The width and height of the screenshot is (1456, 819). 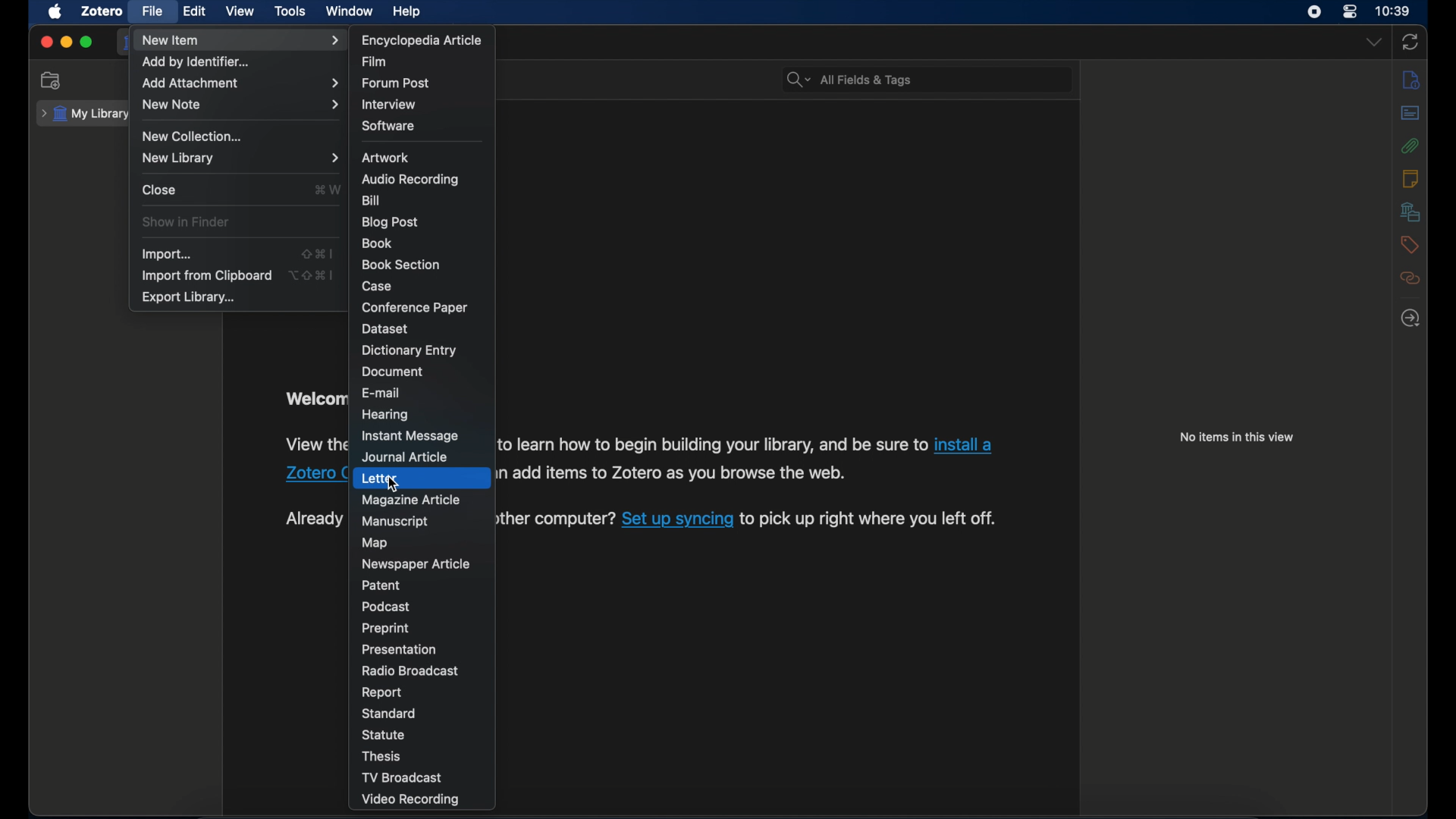 I want to click on e-mail, so click(x=381, y=392).